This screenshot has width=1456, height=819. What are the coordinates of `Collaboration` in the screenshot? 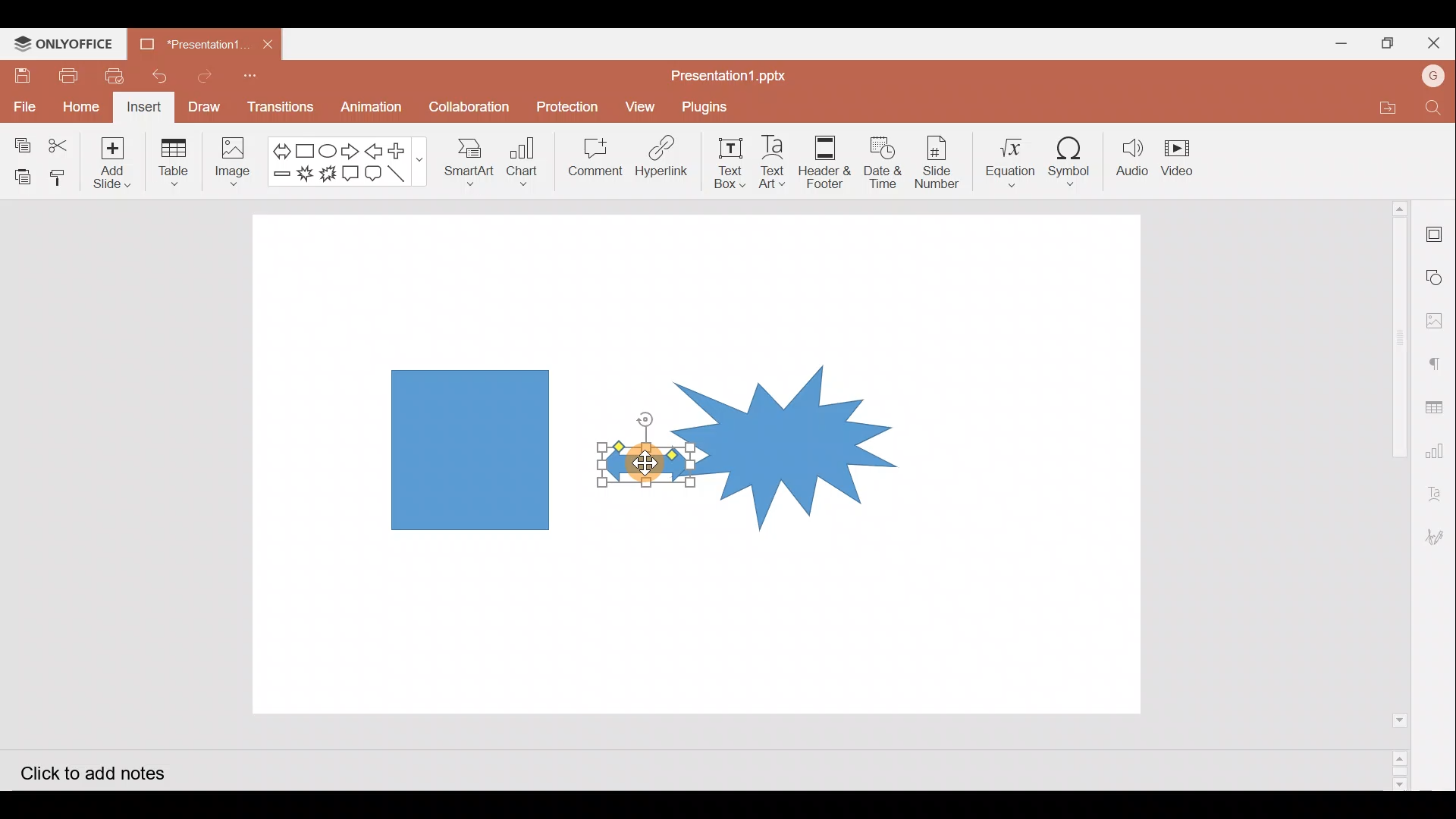 It's located at (469, 102).